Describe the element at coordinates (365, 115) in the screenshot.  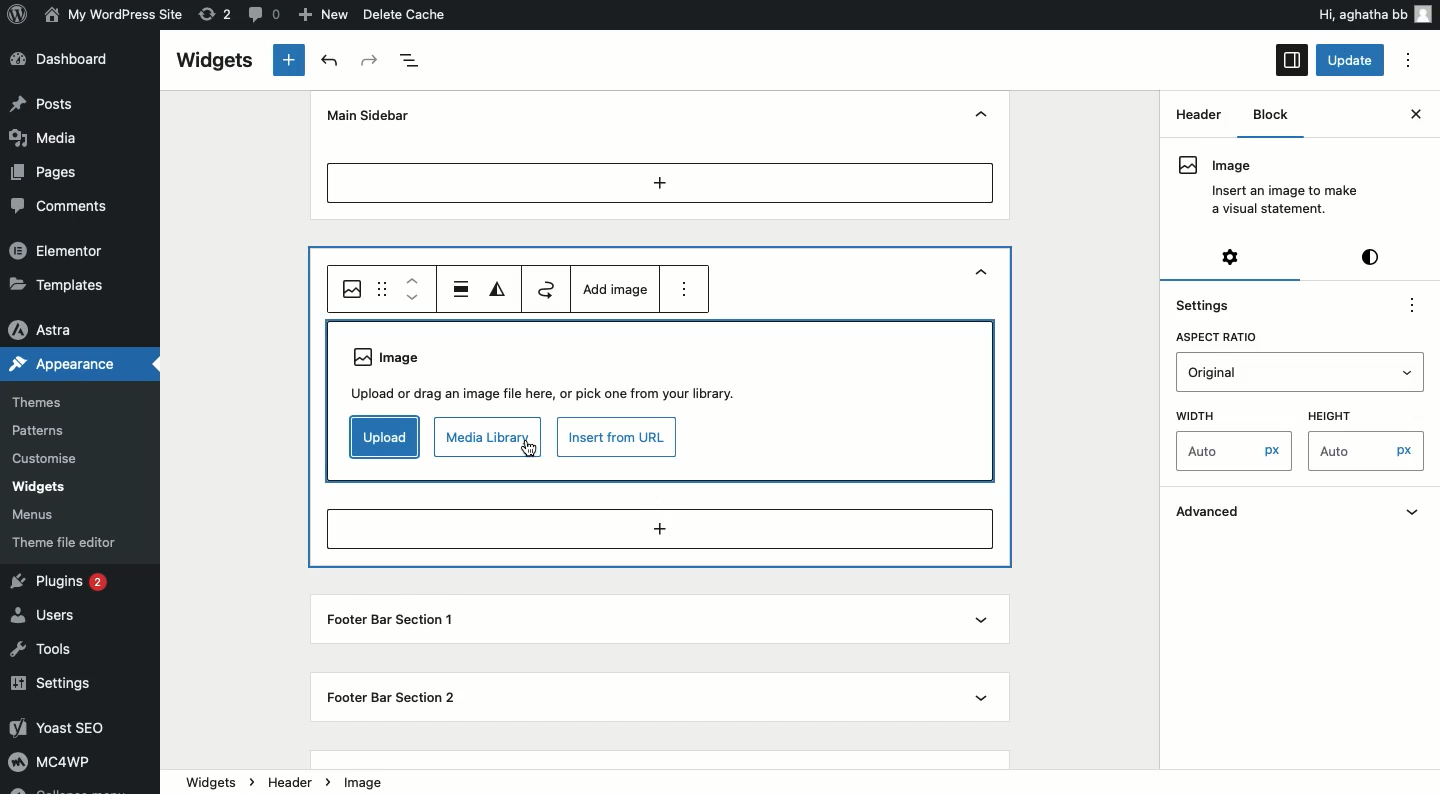
I see `Mine sidebar` at that location.